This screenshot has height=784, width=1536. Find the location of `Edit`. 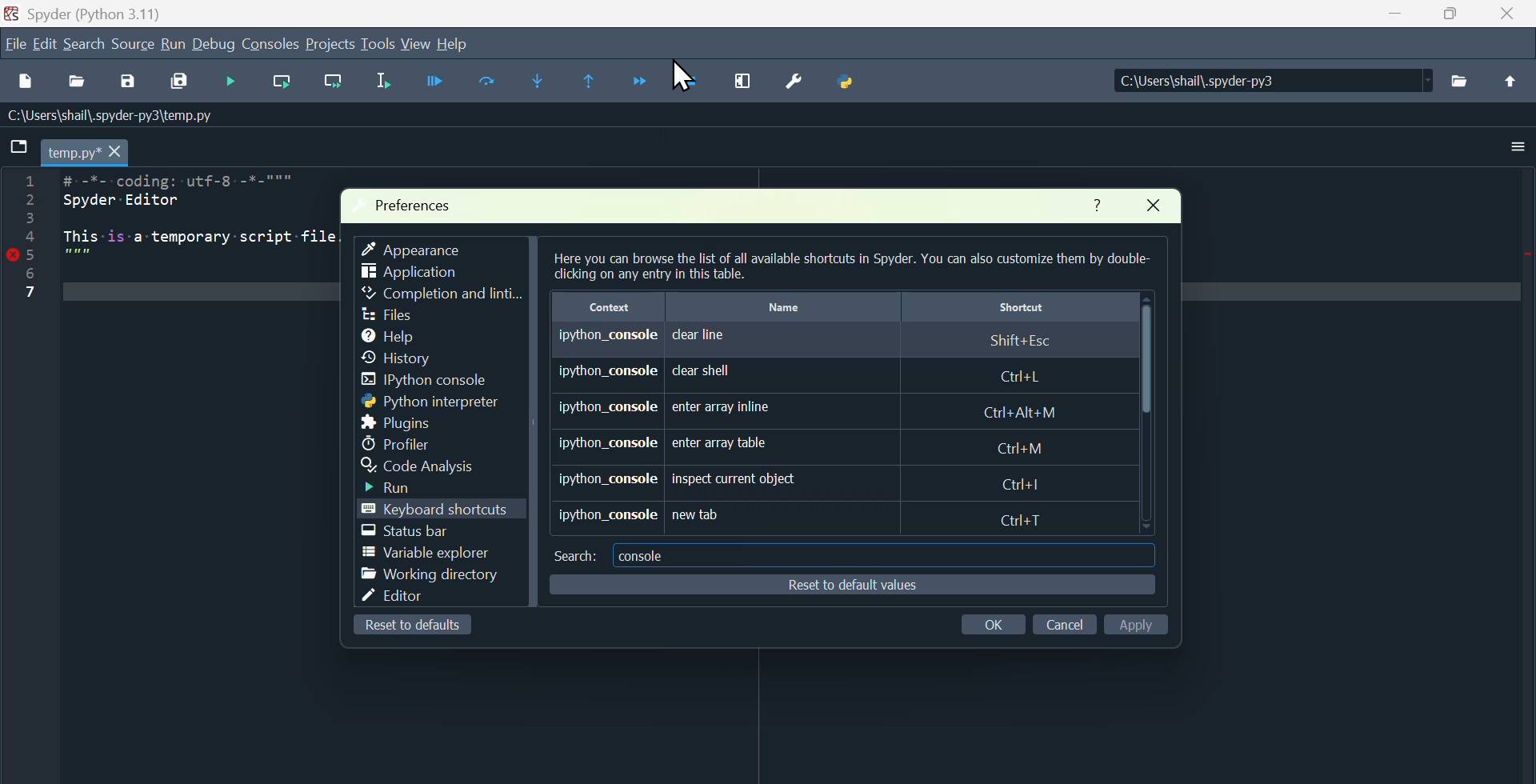

Edit is located at coordinates (43, 46).